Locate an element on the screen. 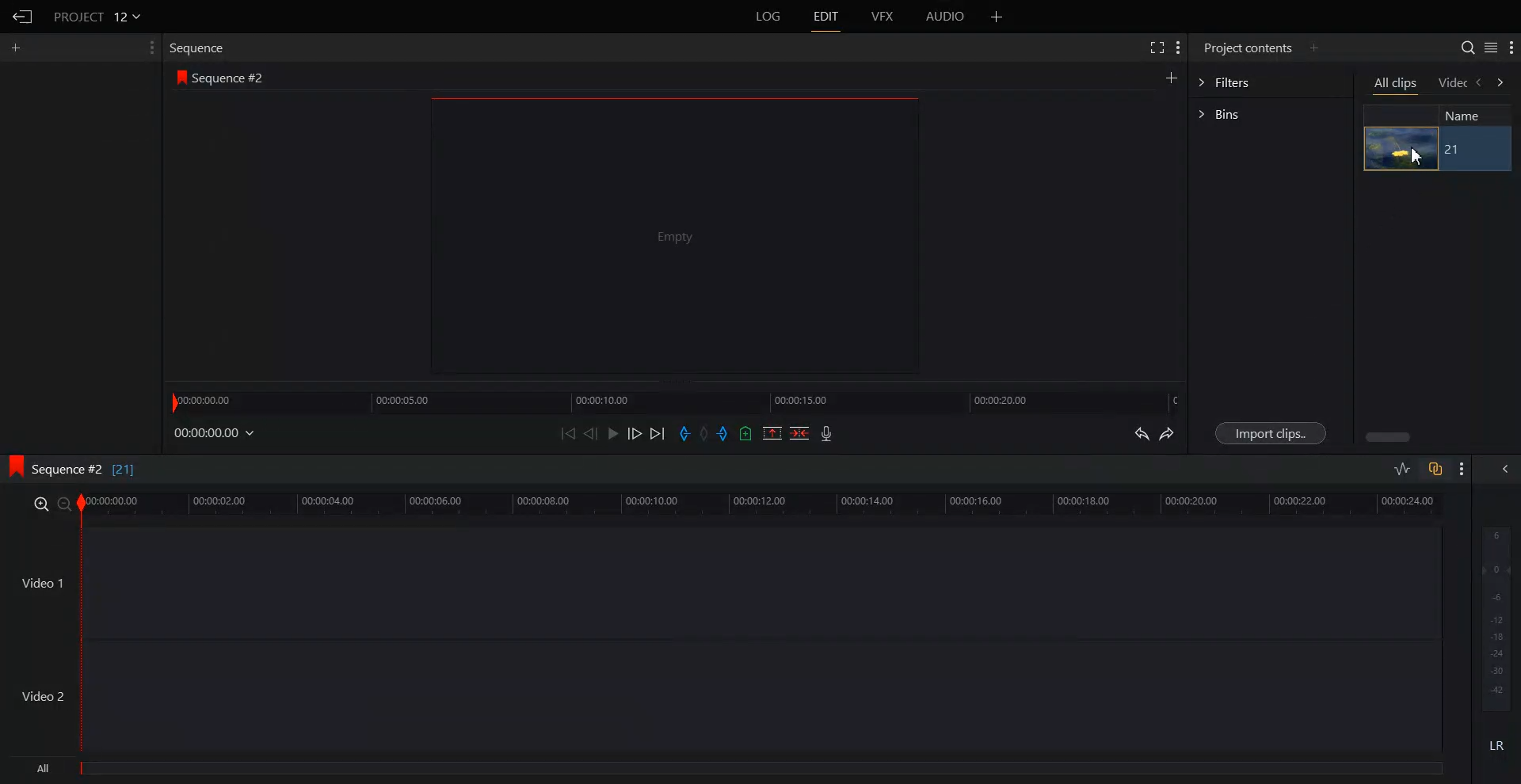  File Preview is located at coordinates (665, 236).